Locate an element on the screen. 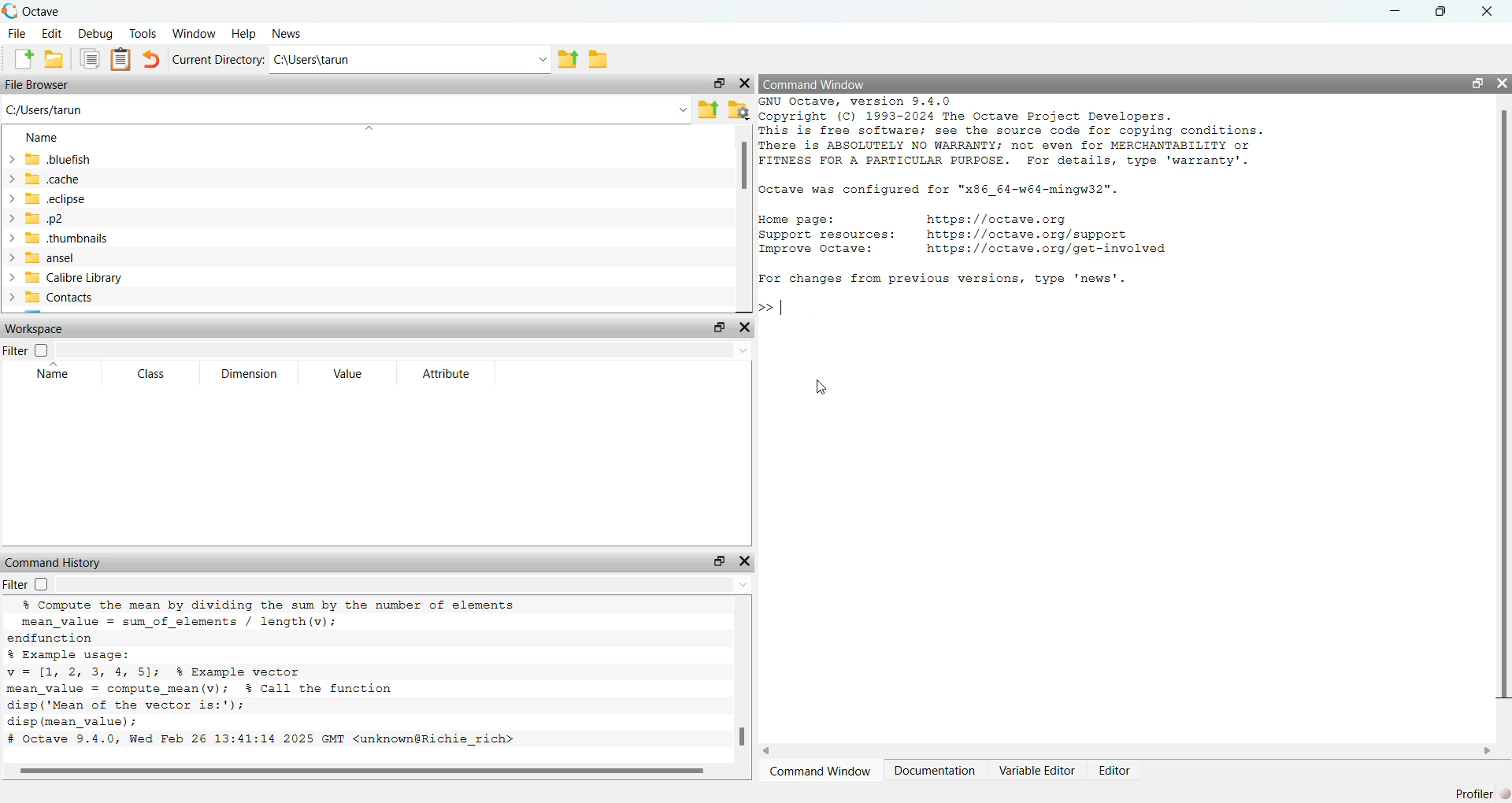 The image size is (1512, 803). expand/collapse is located at coordinates (11, 228).